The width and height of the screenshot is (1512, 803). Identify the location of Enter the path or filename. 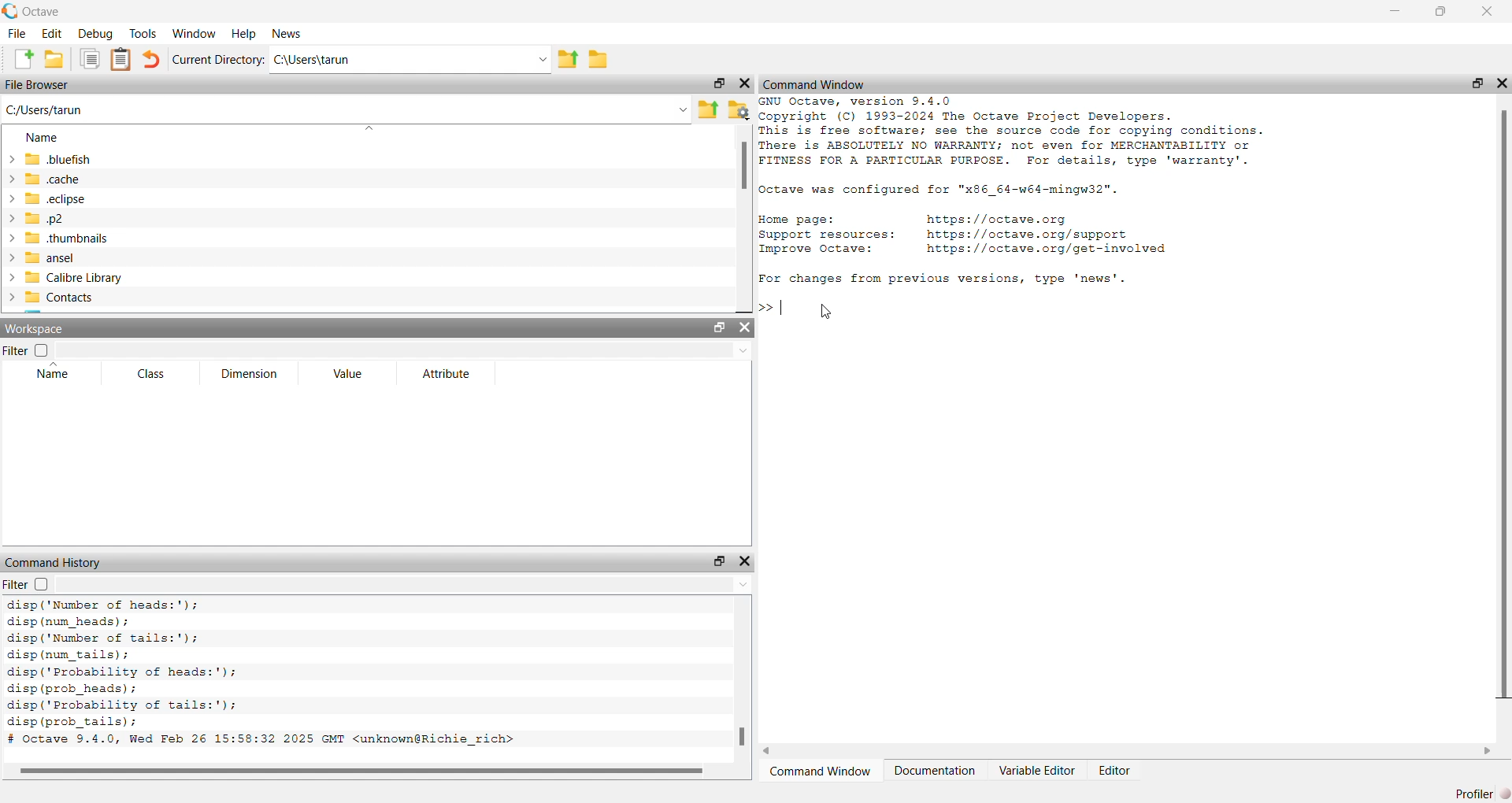
(683, 110).